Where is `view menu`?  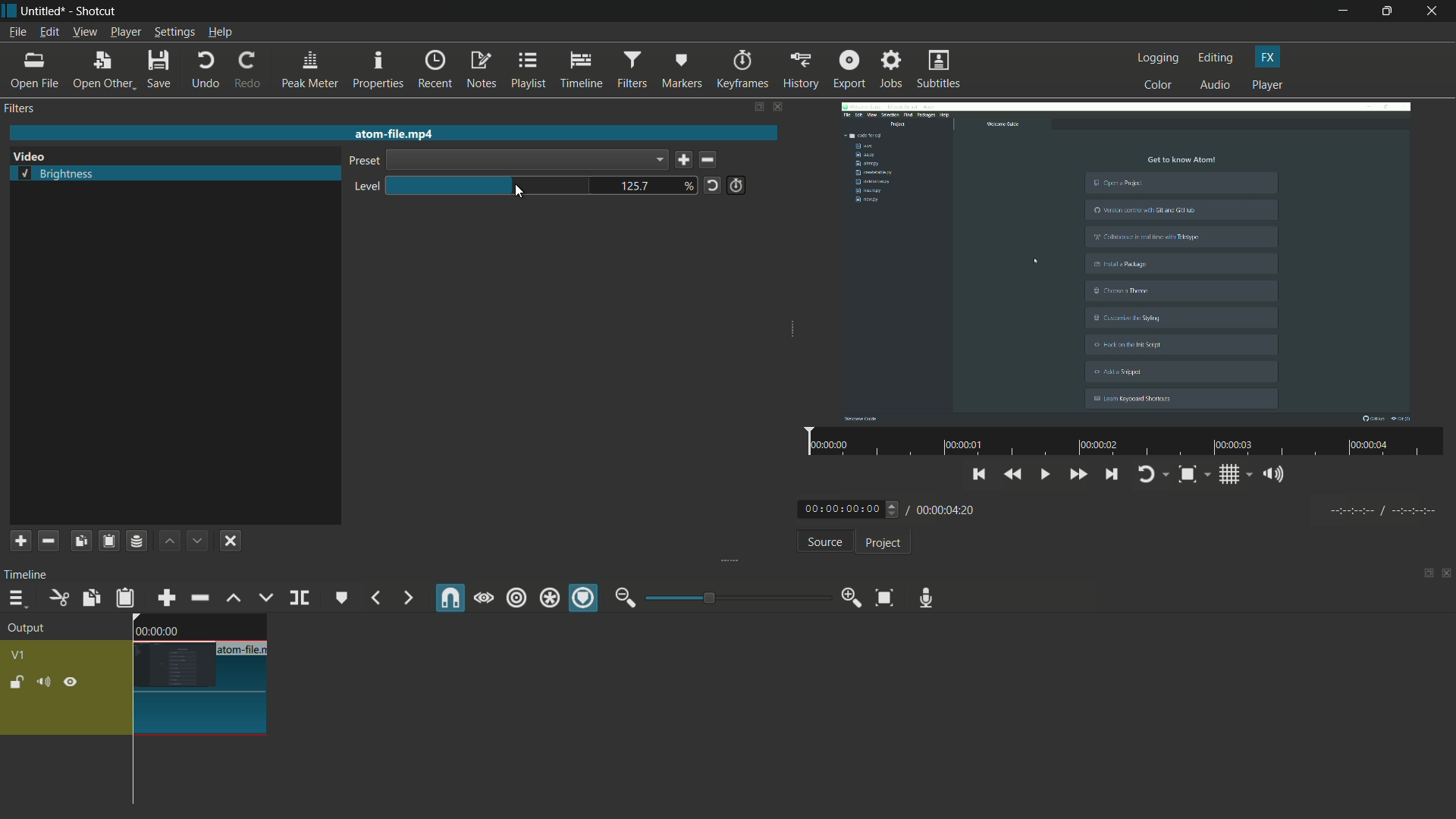
view menu is located at coordinates (84, 32).